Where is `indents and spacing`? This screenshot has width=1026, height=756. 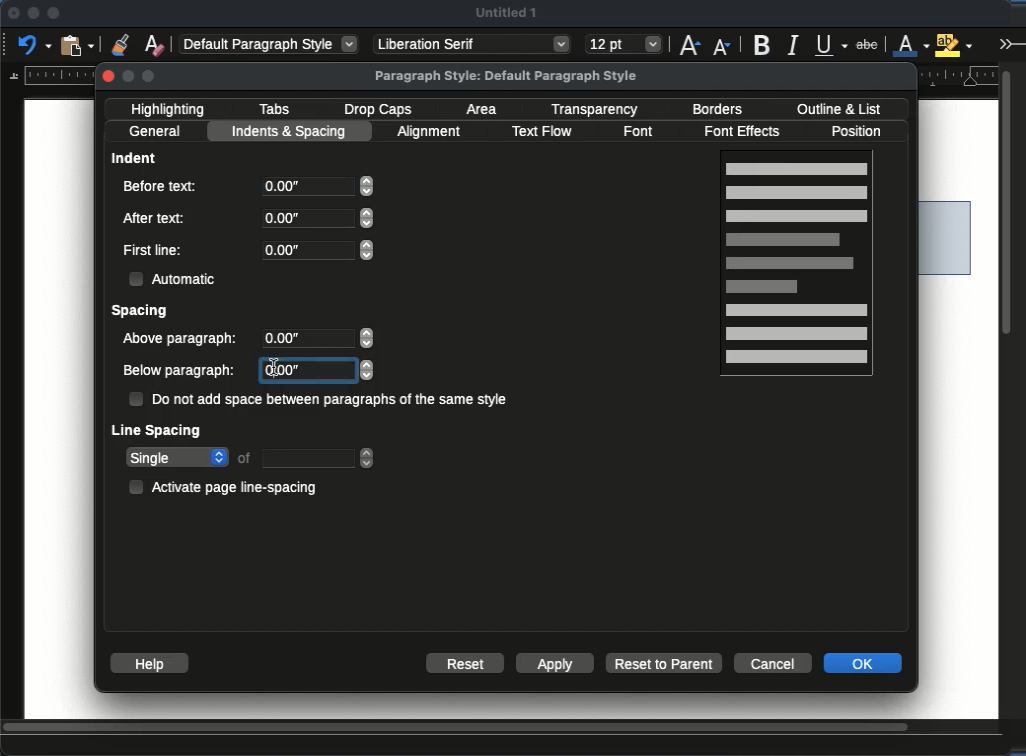 indents and spacing is located at coordinates (291, 132).